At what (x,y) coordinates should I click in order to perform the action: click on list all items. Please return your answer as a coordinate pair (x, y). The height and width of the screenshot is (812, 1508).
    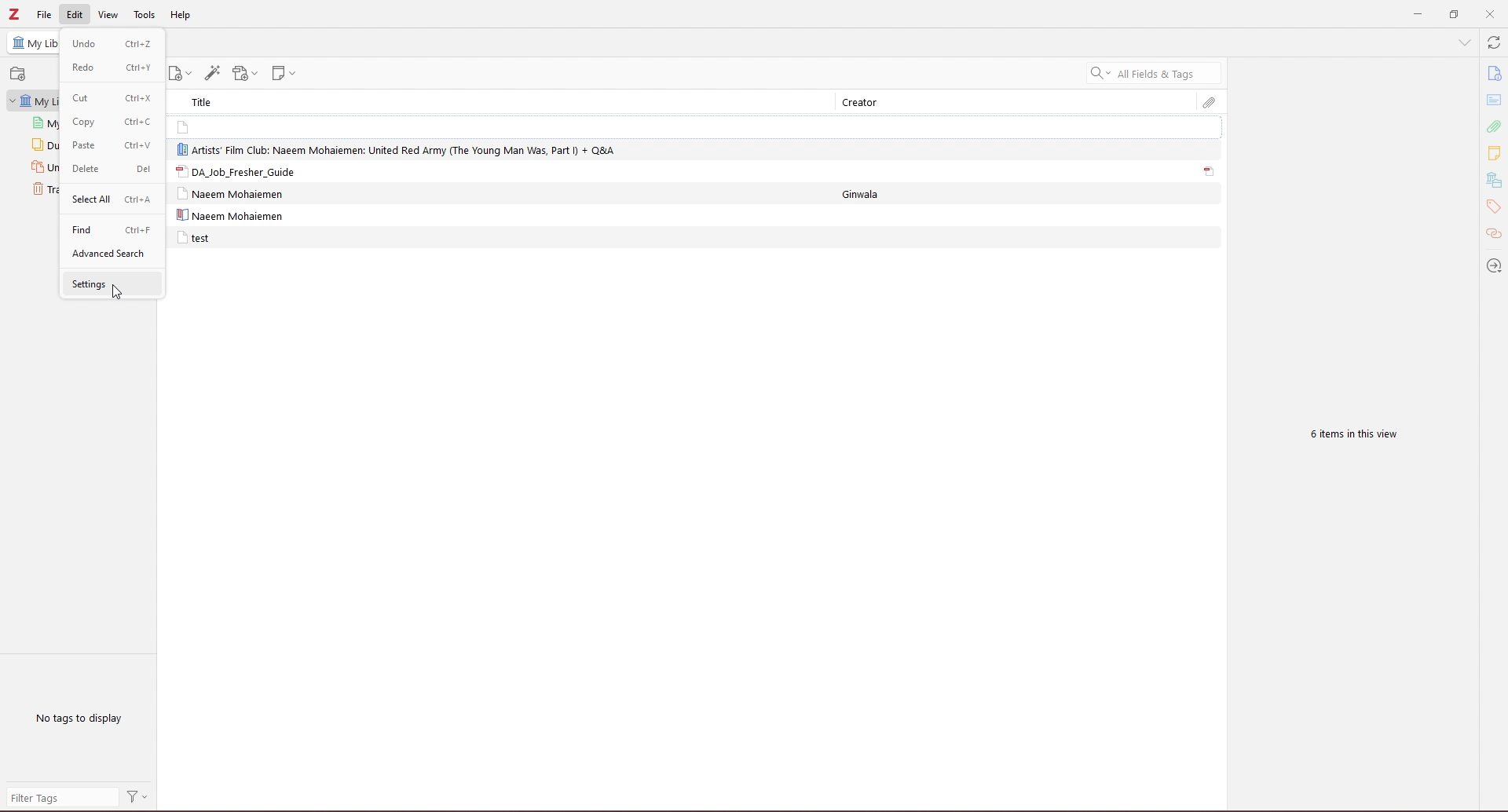
    Looking at the image, I should click on (1464, 42).